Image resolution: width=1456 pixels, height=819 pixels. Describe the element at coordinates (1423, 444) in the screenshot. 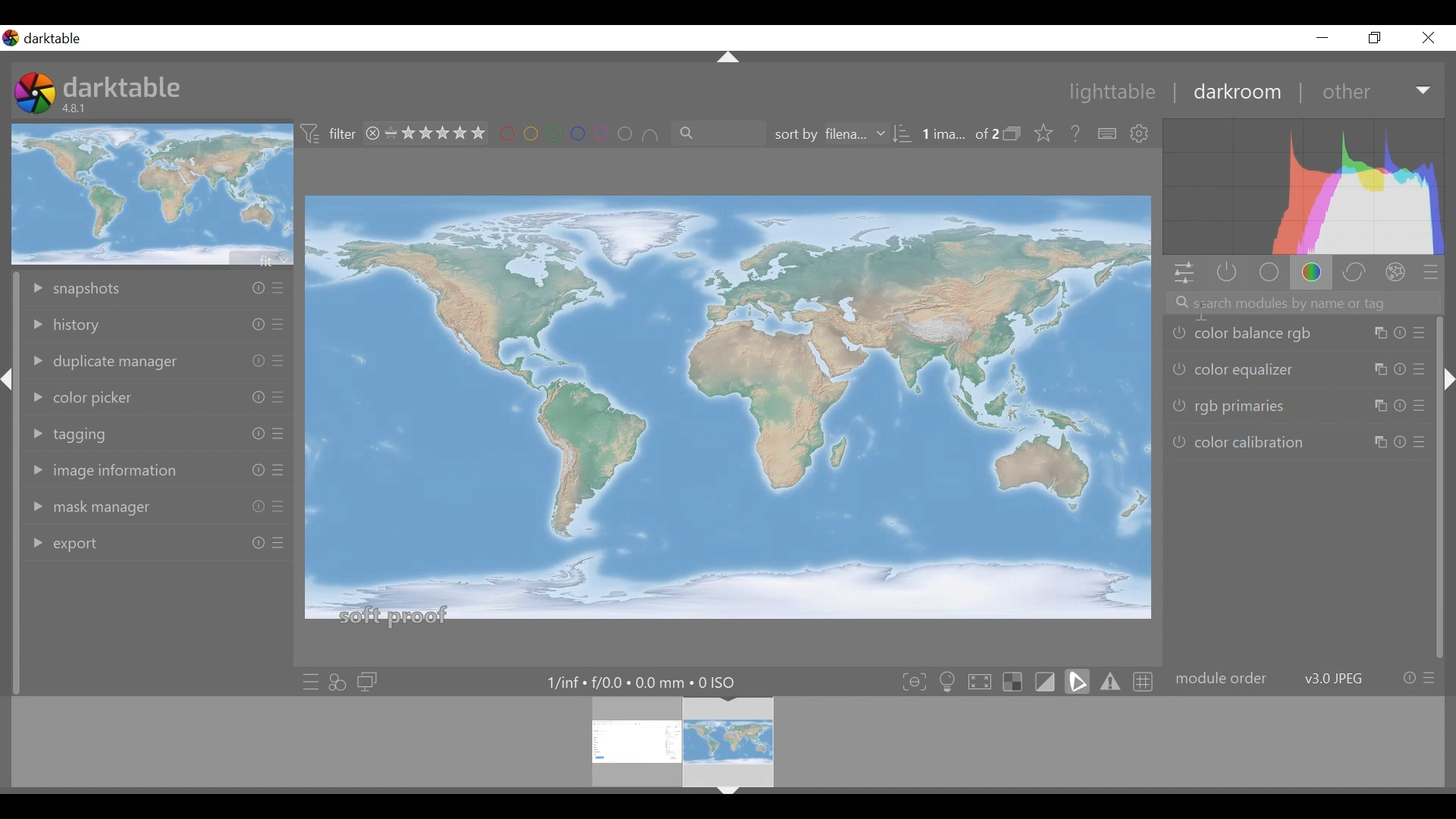

I see `` at that location.